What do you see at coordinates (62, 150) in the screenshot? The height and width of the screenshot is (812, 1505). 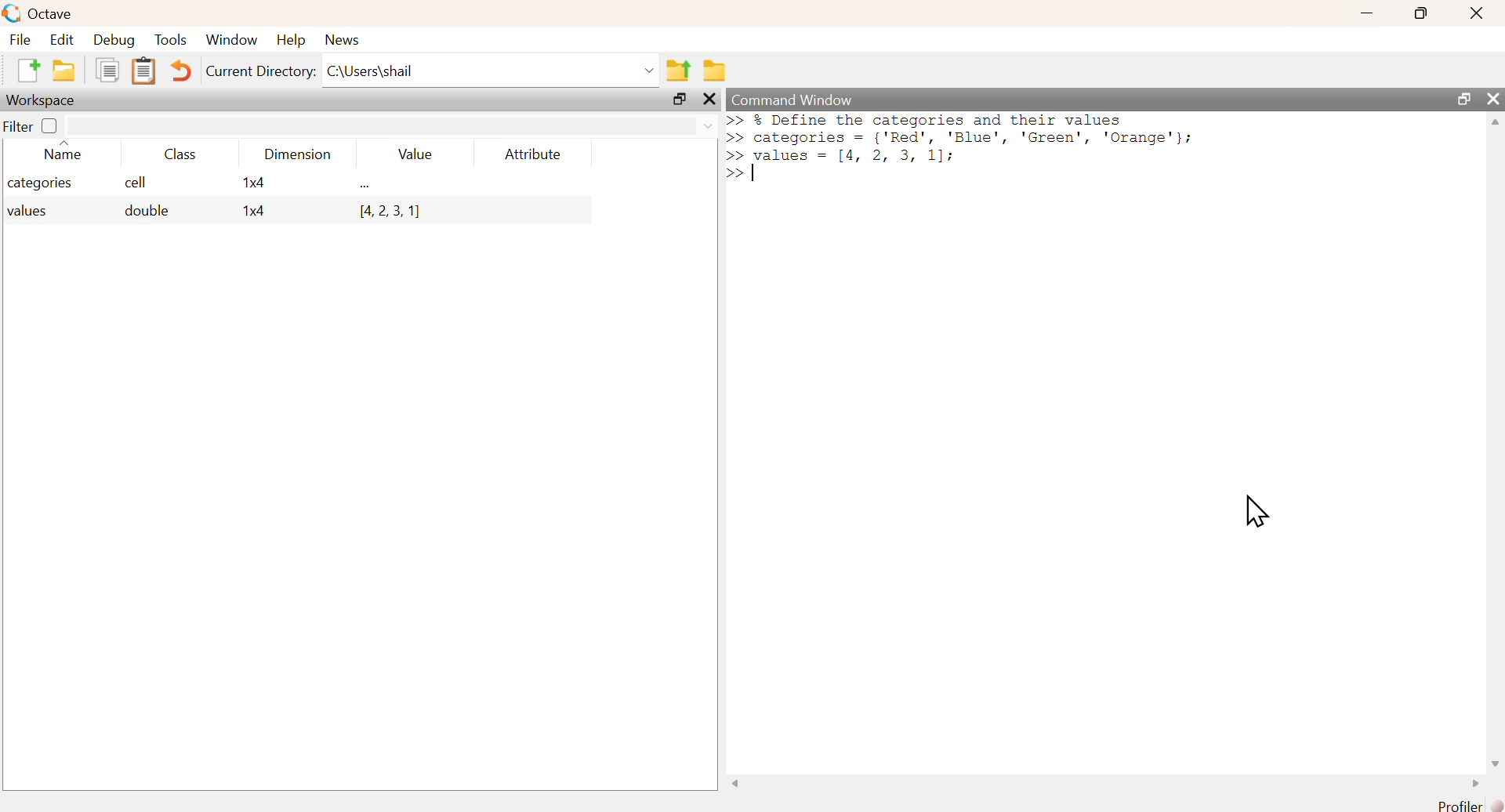 I see `Name` at bounding box center [62, 150].